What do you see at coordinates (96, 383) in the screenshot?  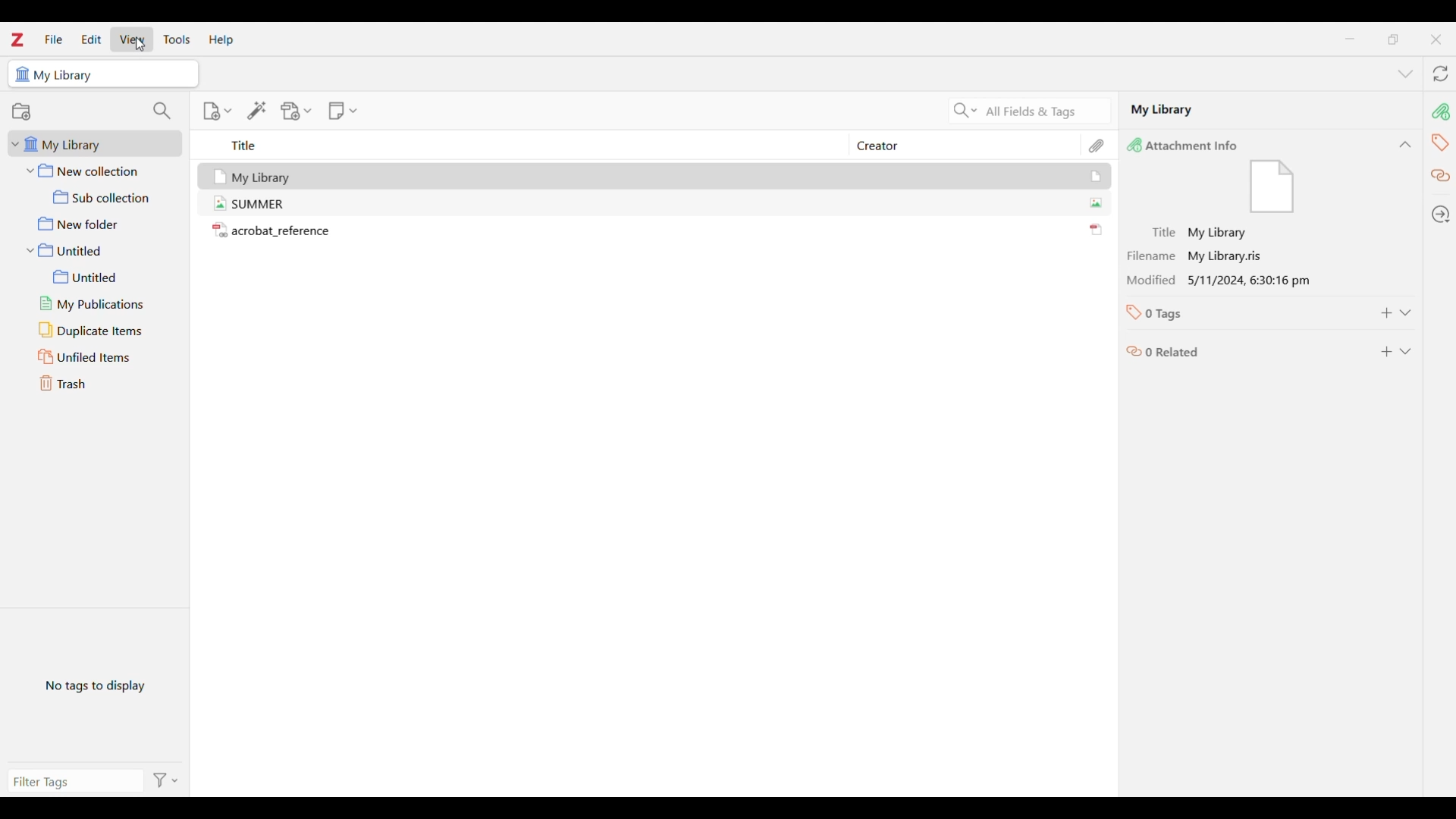 I see `Trash folder` at bounding box center [96, 383].